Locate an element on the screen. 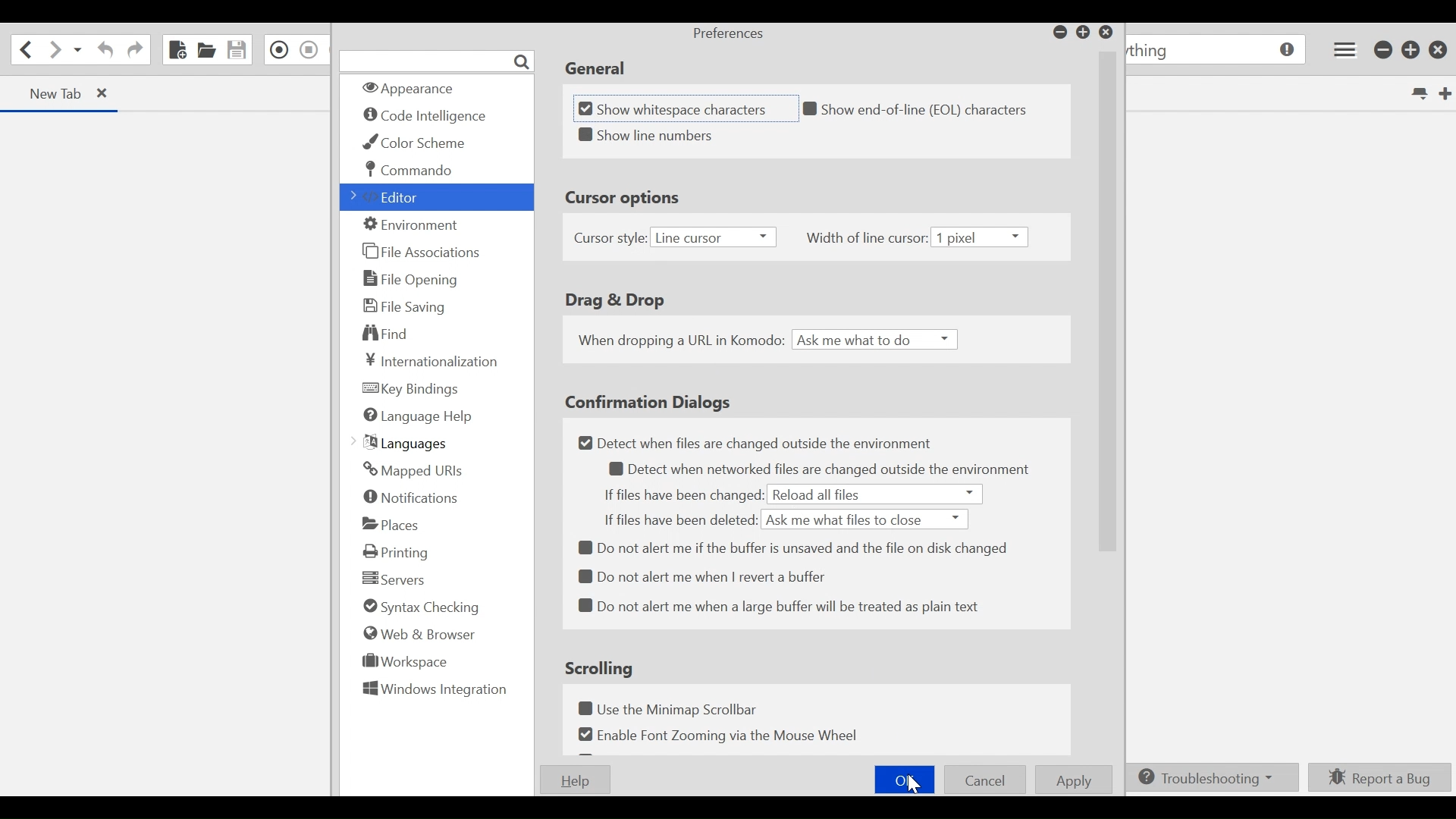  Drag & Drop is located at coordinates (617, 300).